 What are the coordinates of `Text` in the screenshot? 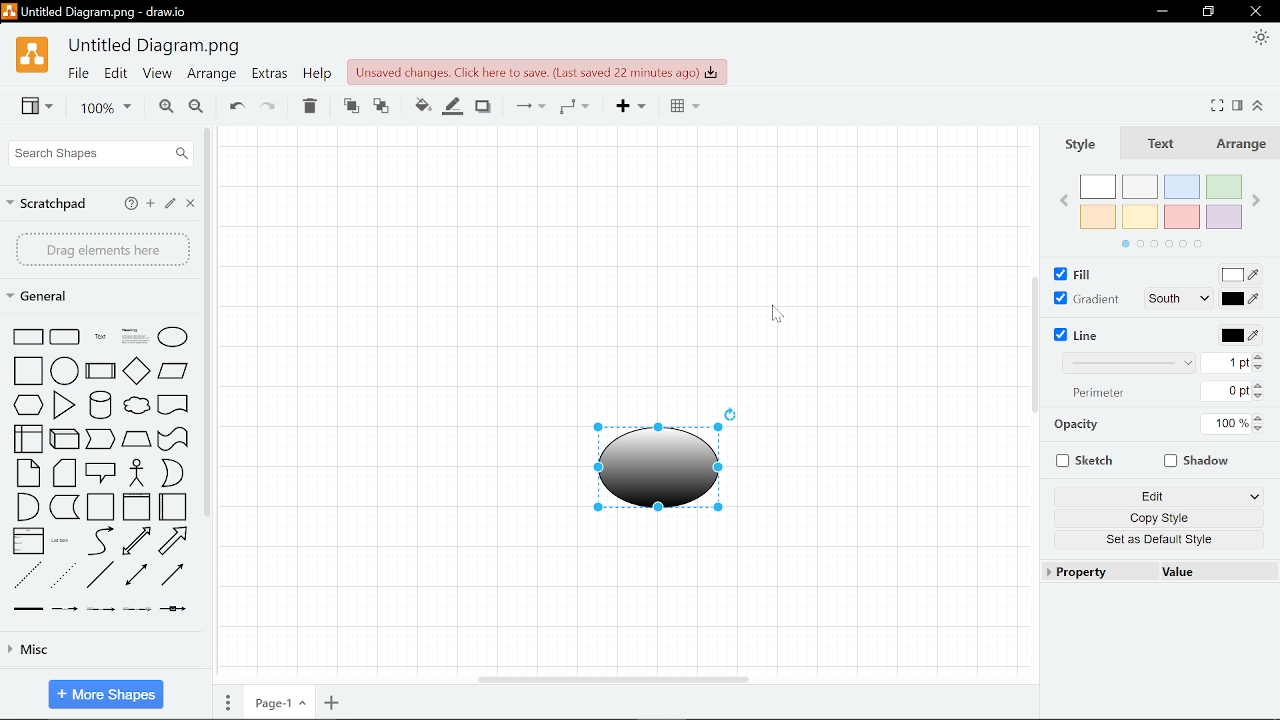 It's located at (1158, 146).